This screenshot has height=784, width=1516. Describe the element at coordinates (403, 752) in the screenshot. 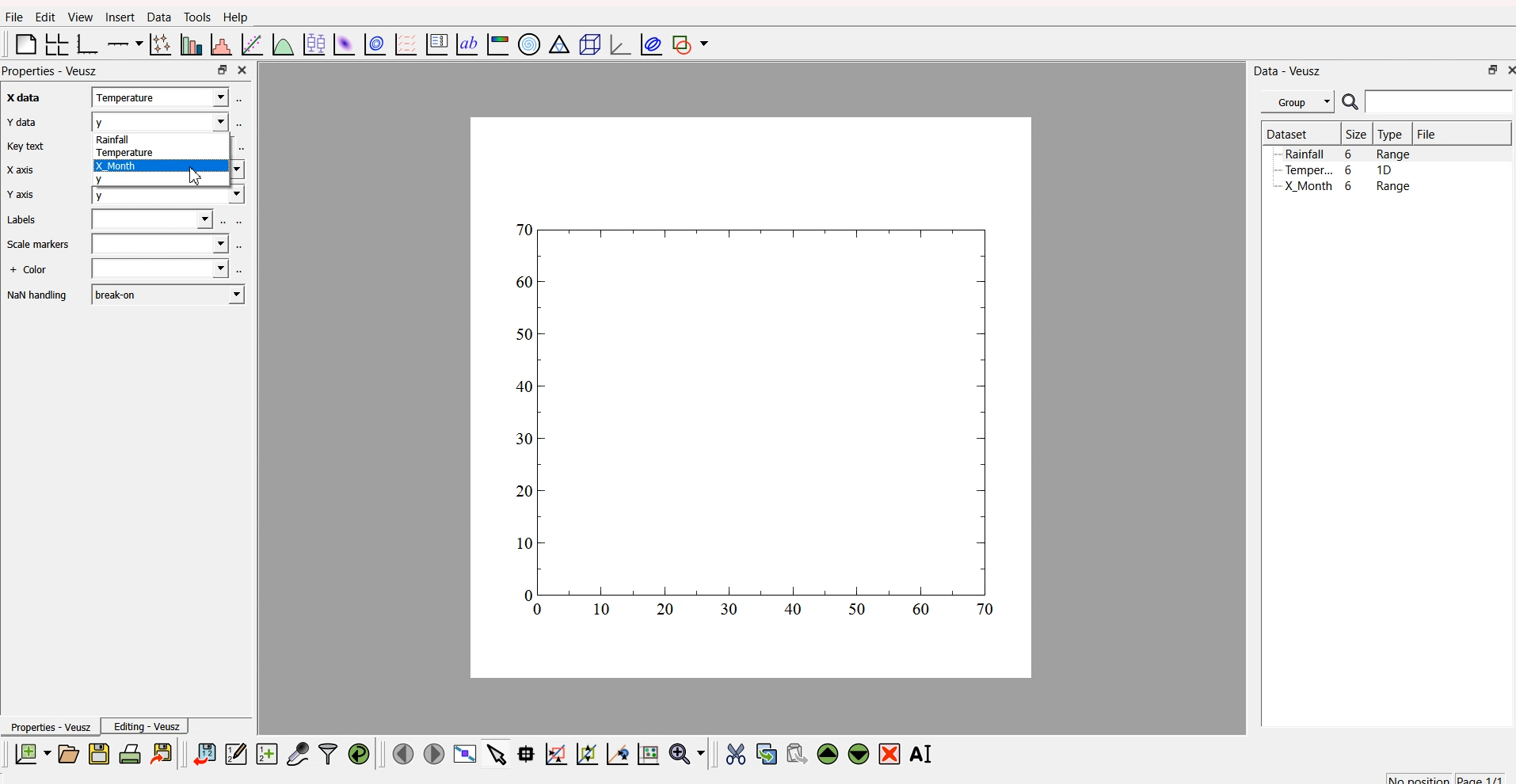

I see `move to previous page` at that location.